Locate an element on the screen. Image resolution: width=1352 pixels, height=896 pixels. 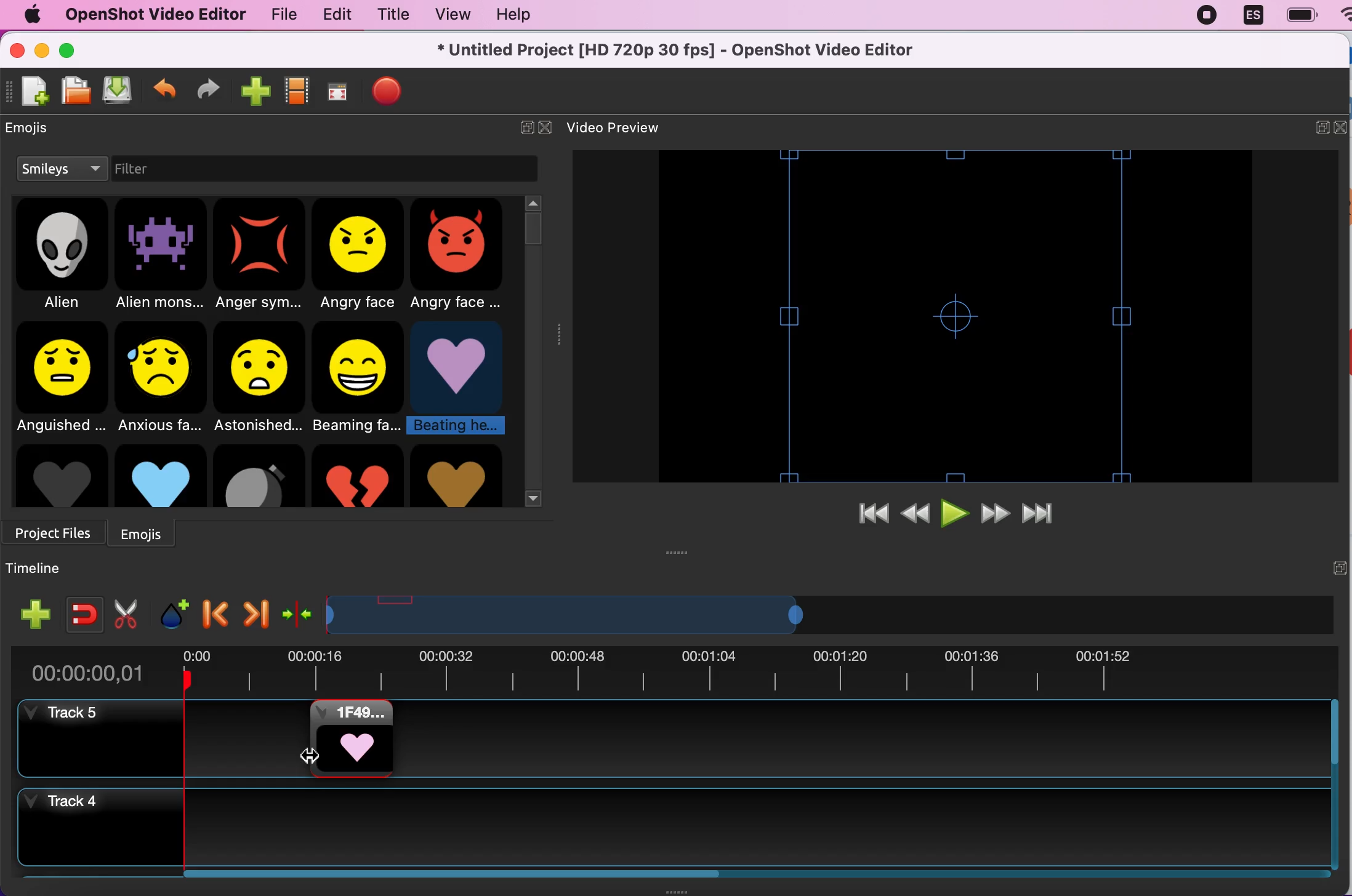
help is located at coordinates (521, 18).